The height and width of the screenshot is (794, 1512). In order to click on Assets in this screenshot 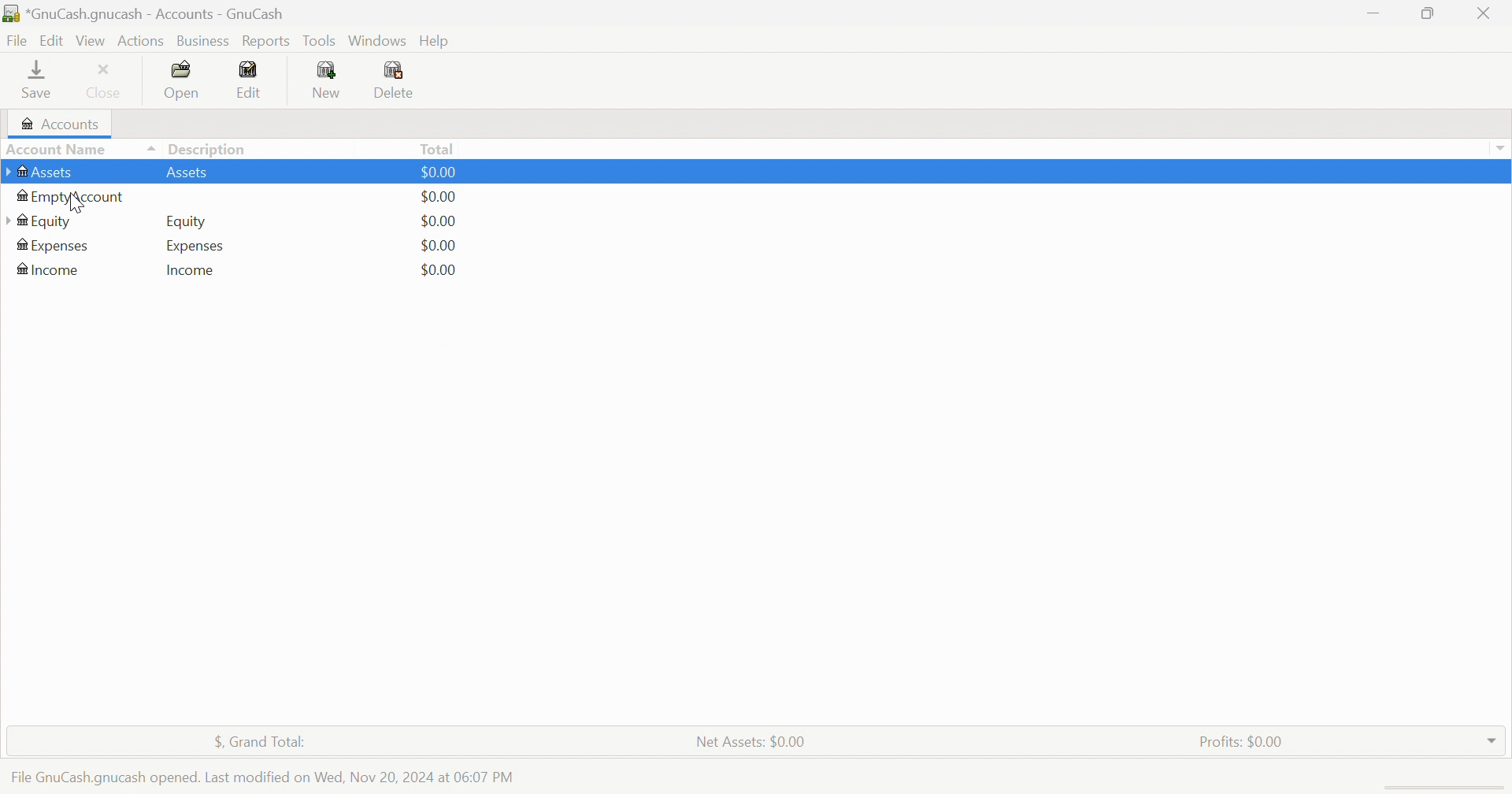, I will do `click(41, 172)`.